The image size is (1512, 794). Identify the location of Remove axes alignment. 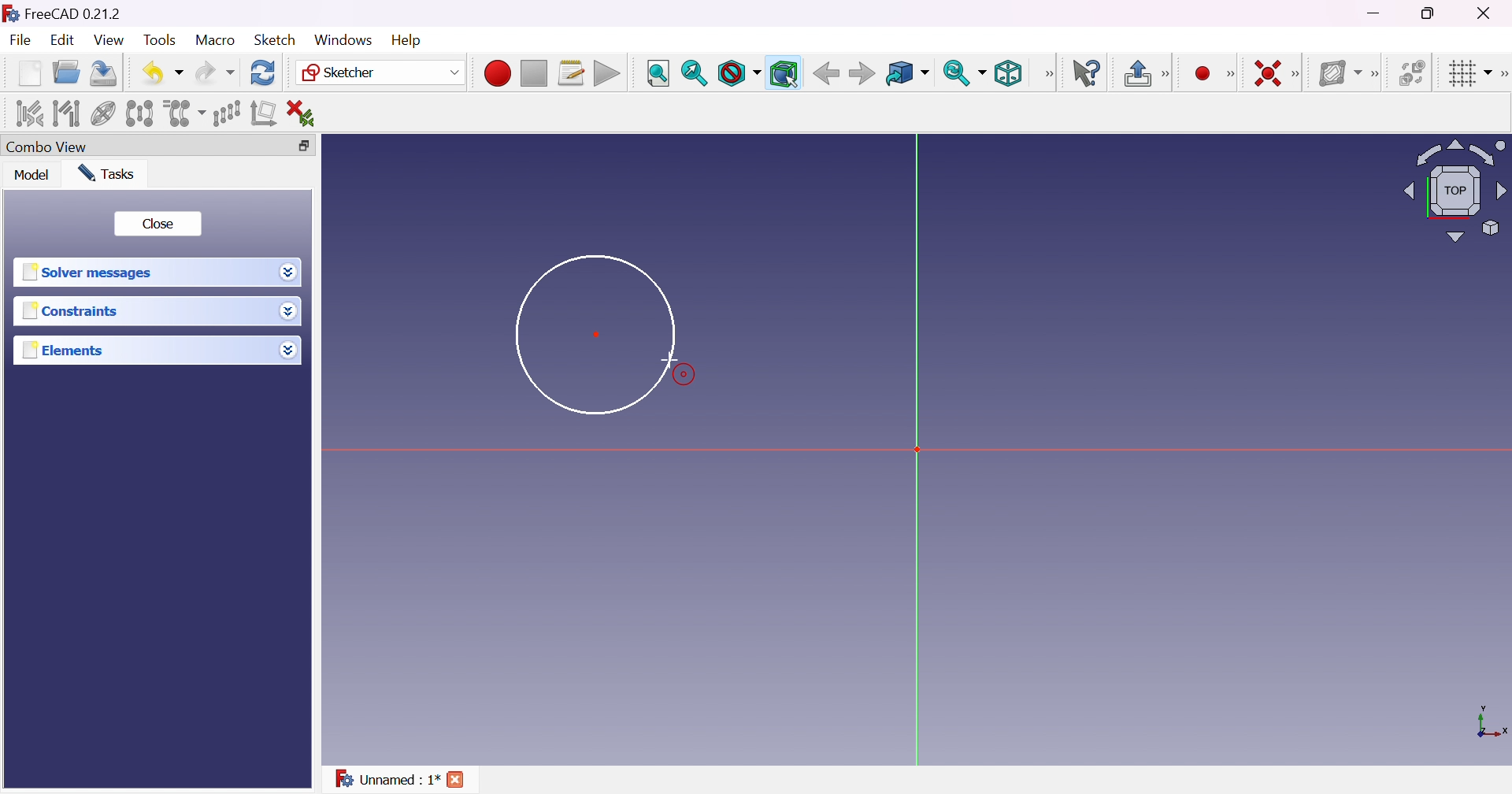
(265, 113).